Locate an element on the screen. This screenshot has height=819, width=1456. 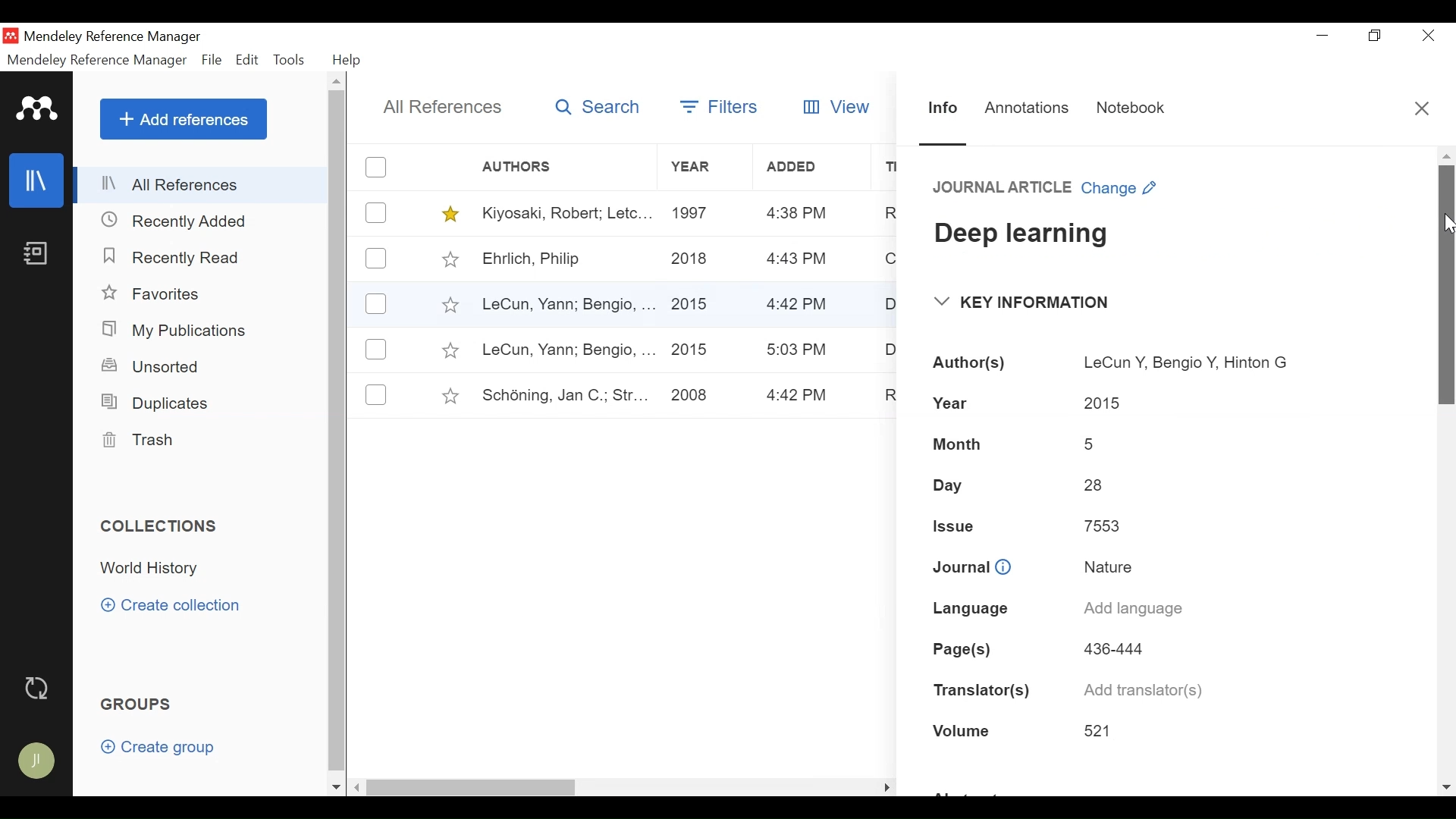
Toggle Favorites is located at coordinates (449, 304).